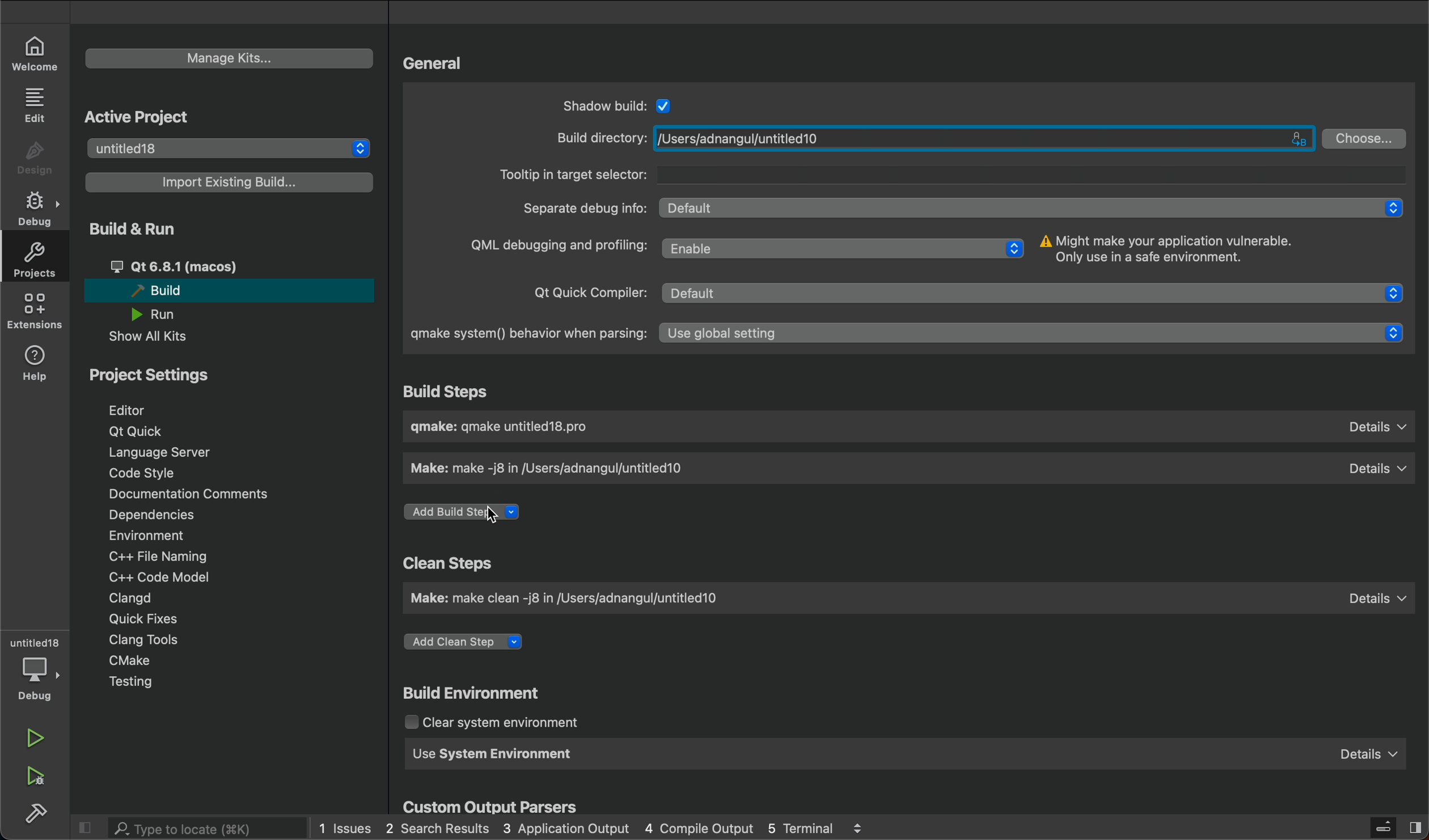 Image resolution: width=1429 pixels, height=840 pixels. Describe the element at coordinates (553, 468) in the screenshot. I see `Make: make -j8 in /Users/adnangul/untitled10` at that location.